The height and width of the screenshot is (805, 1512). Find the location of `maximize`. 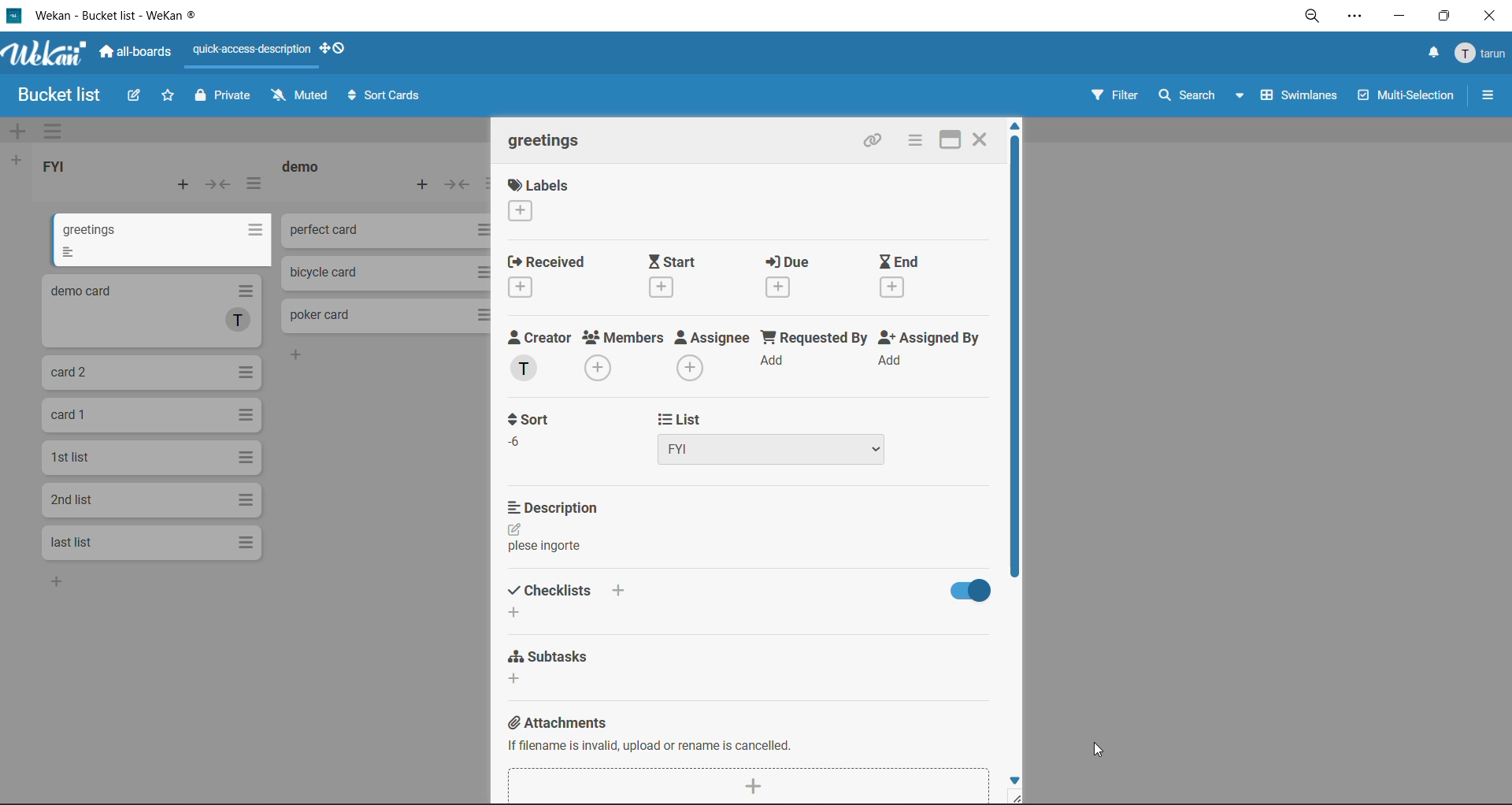

maximize is located at coordinates (954, 141).